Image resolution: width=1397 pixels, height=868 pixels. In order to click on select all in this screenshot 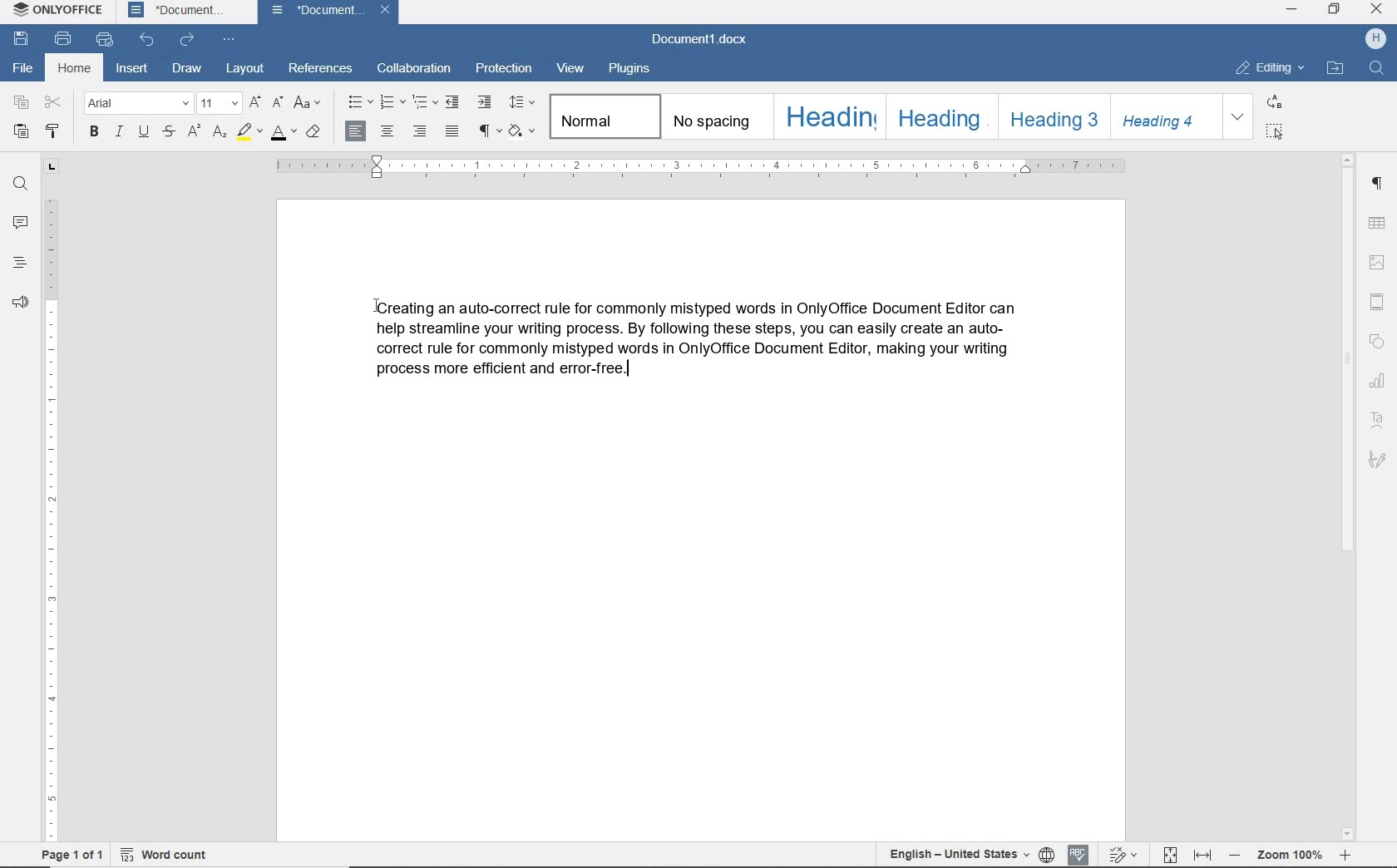, I will do `click(1276, 133)`.